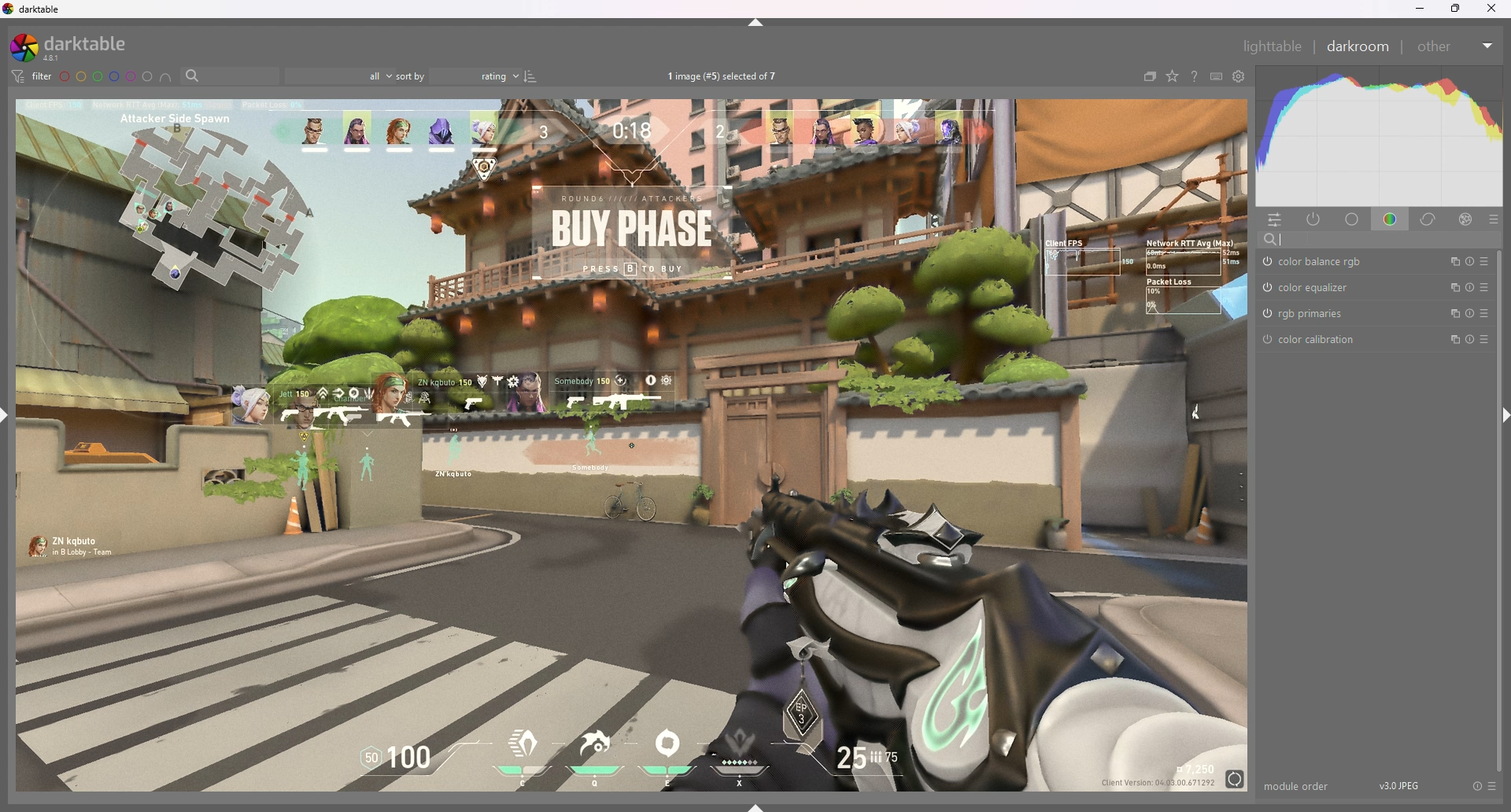 The image size is (1511, 812). Describe the element at coordinates (1315, 220) in the screenshot. I see `active modules` at that location.